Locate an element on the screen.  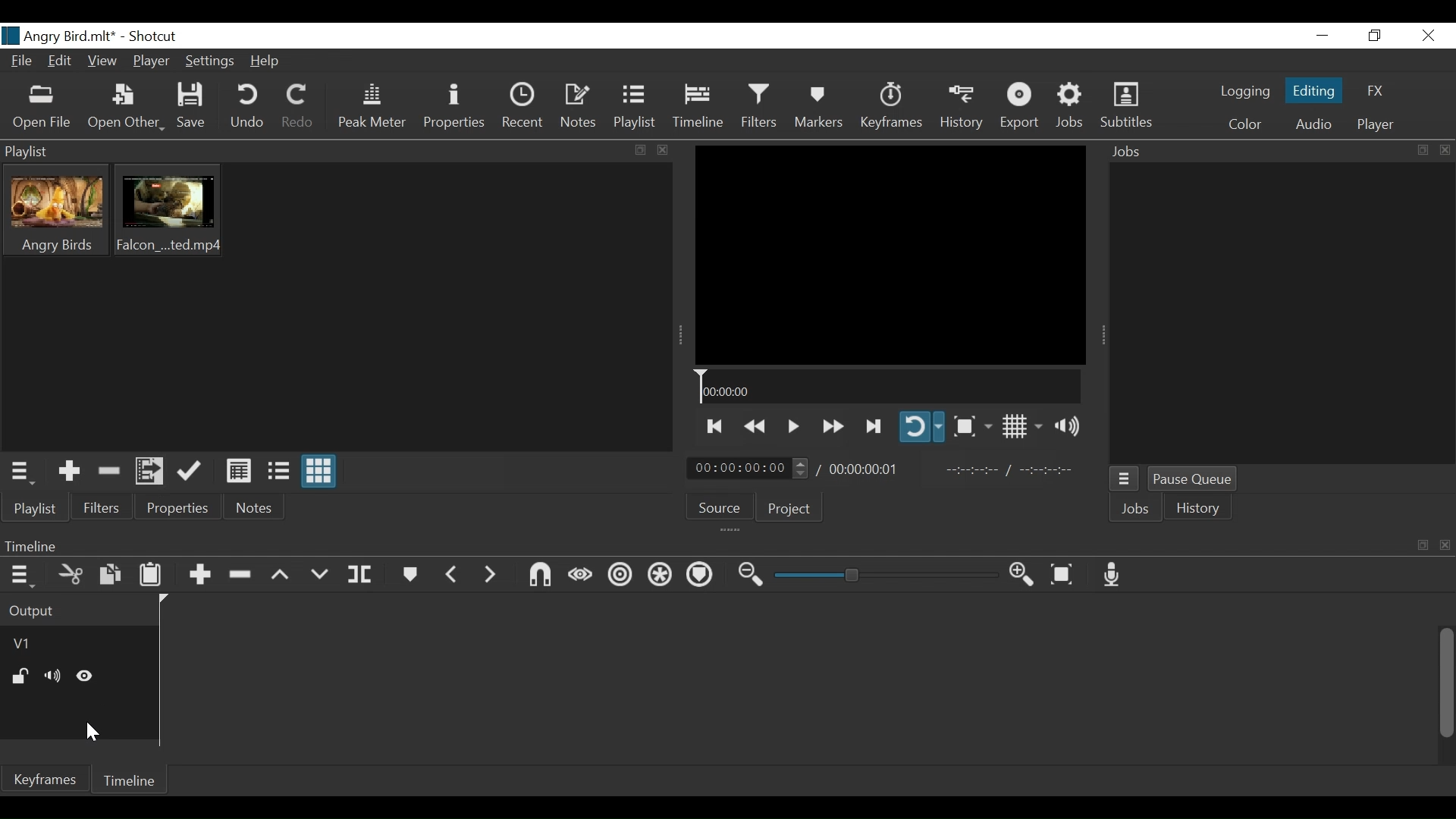
Toggle play or pause is located at coordinates (795, 427).